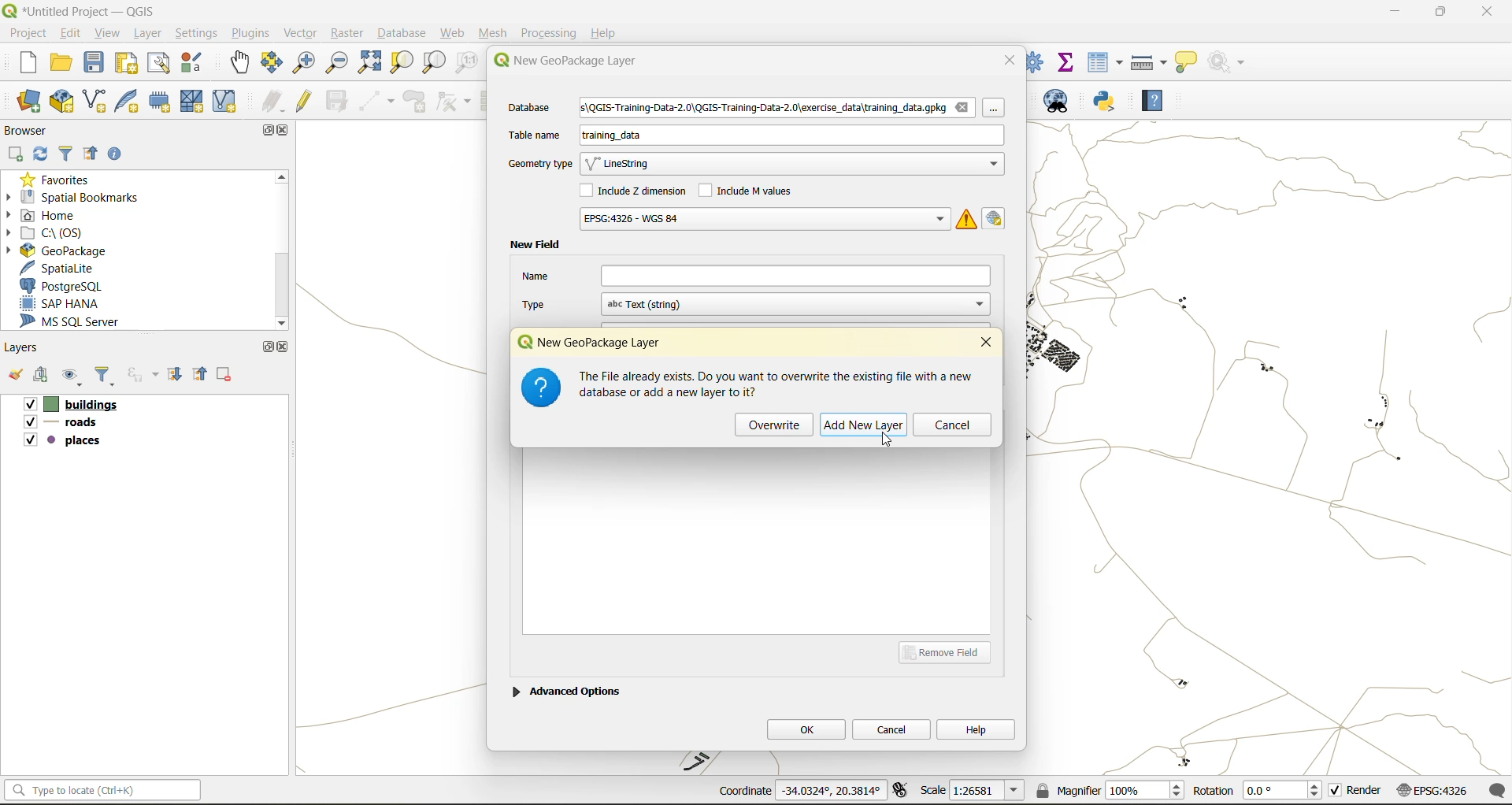 The width and height of the screenshot is (1512, 805). I want to click on New GeoPackage Layer, so click(561, 61).